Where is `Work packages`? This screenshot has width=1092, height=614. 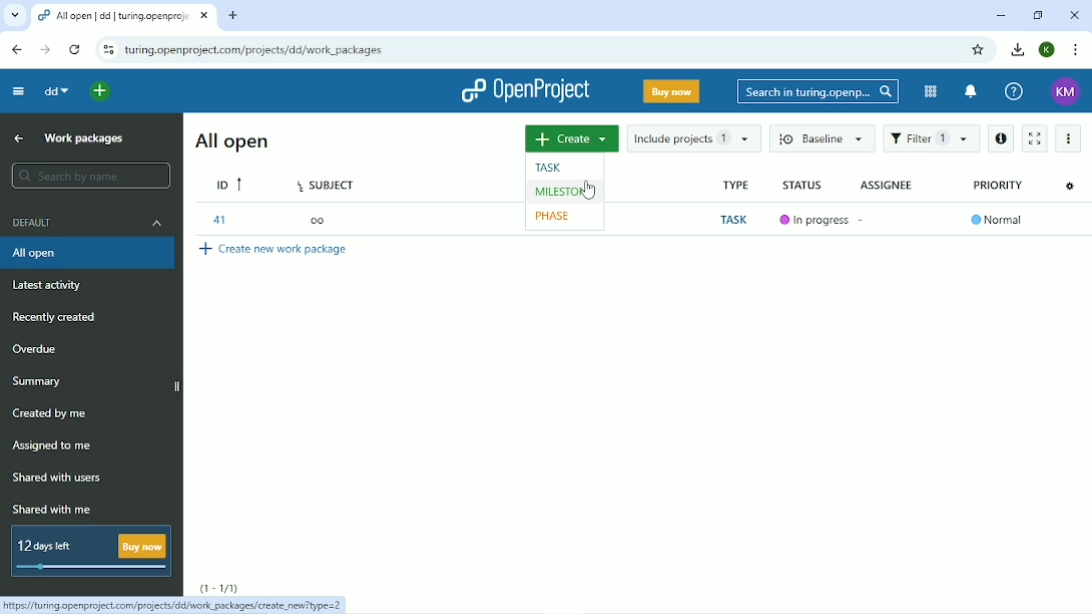 Work packages is located at coordinates (83, 139).